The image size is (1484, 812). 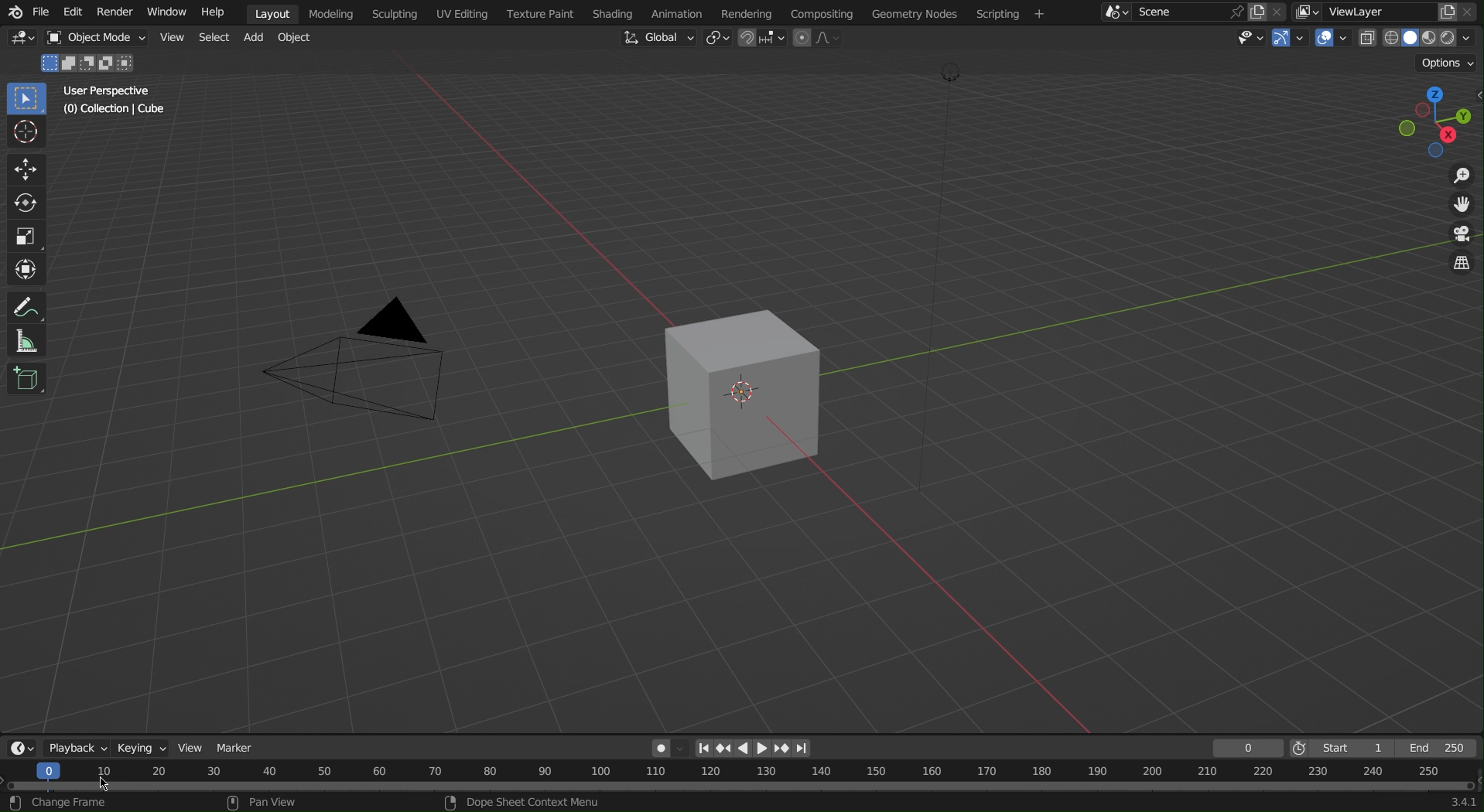 I want to click on Shading, so click(x=610, y=12).